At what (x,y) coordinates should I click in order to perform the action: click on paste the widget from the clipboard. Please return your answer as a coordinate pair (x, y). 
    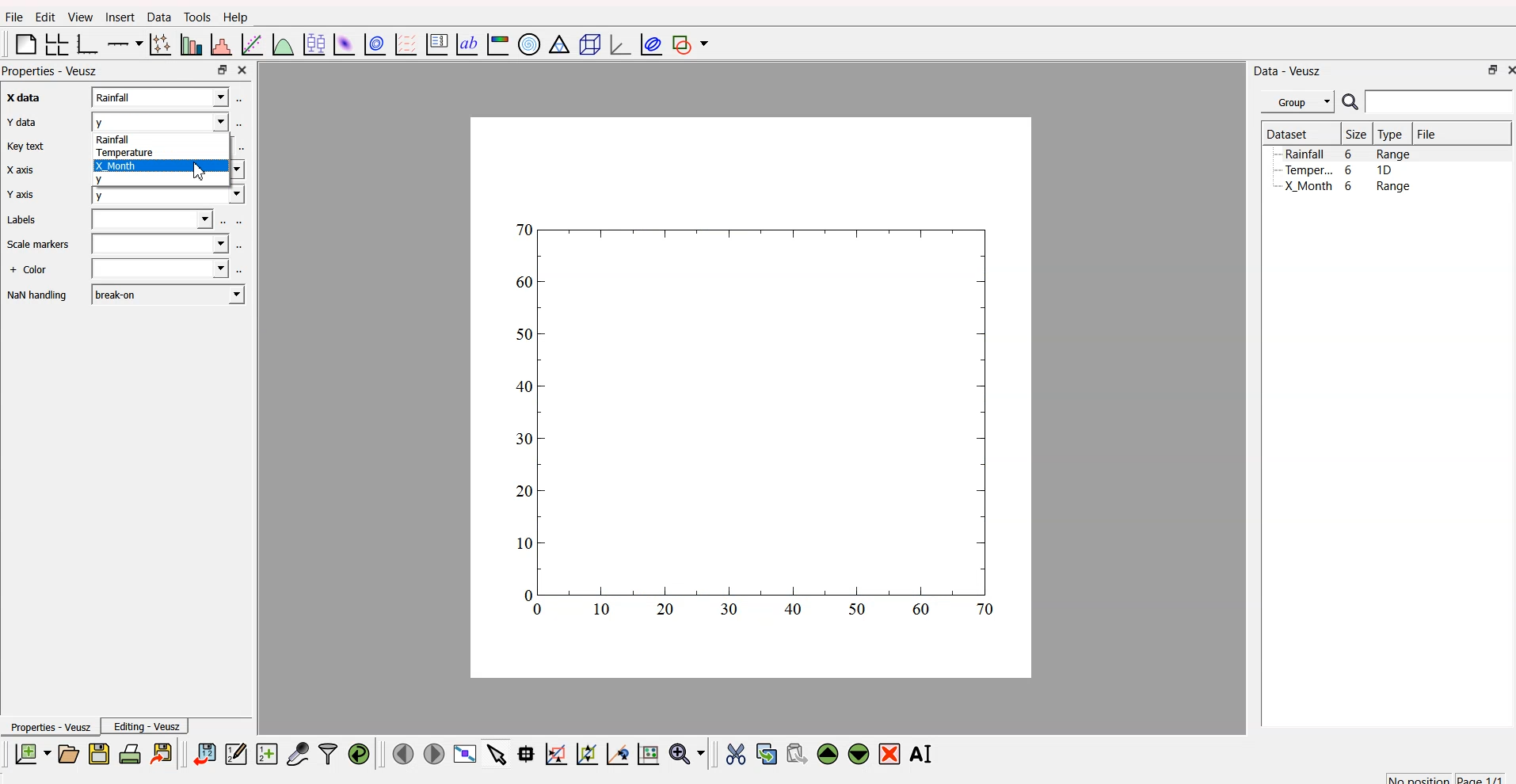
    Looking at the image, I should click on (796, 753).